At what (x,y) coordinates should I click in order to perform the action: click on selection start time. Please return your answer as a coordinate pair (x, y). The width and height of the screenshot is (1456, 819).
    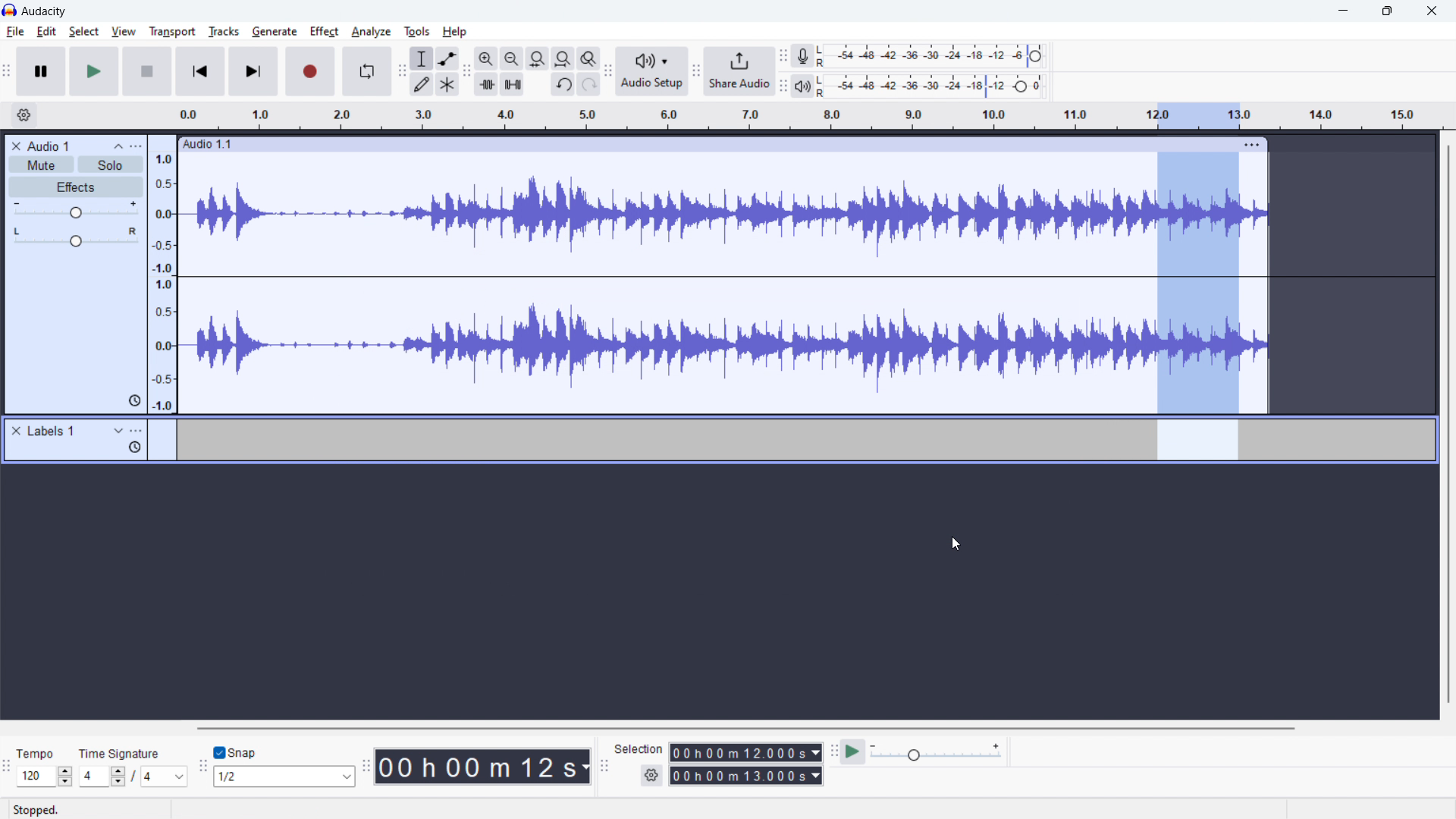
    Looking at the image, I should click on (746, 752).